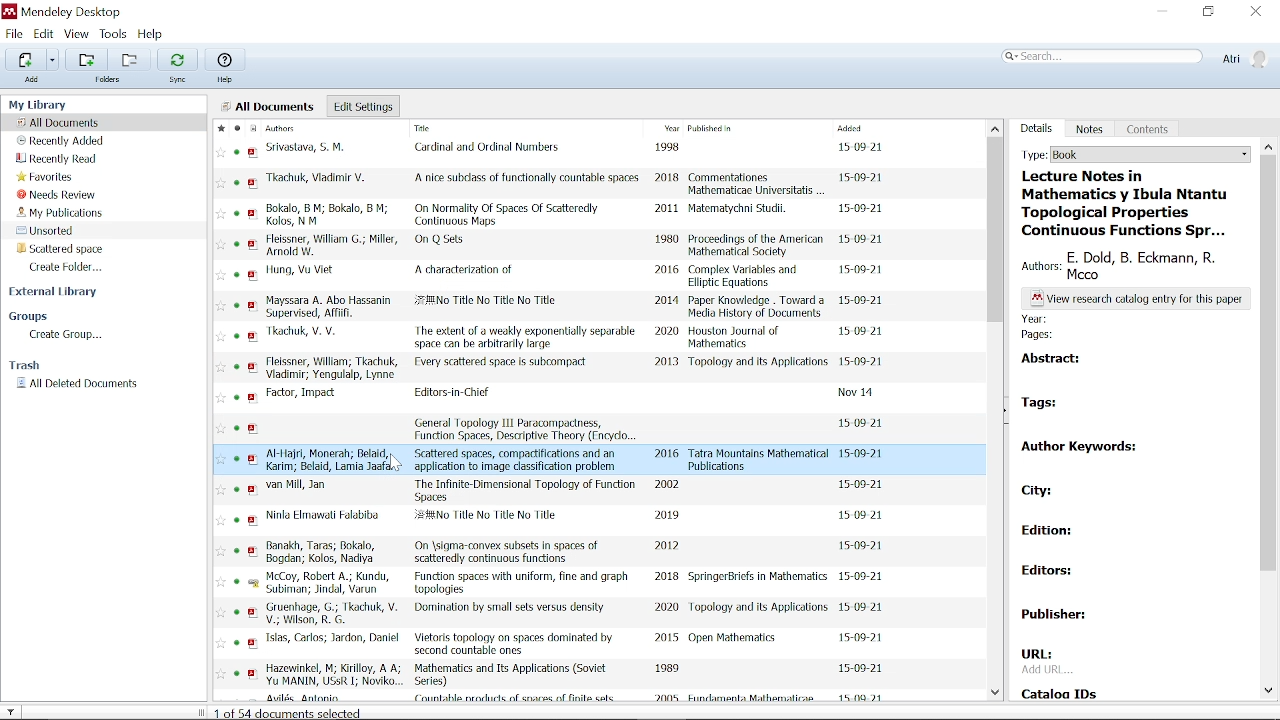  Describe the element at coordinates (1078, 451) in the screenshot. I see `author keywords` at that location.